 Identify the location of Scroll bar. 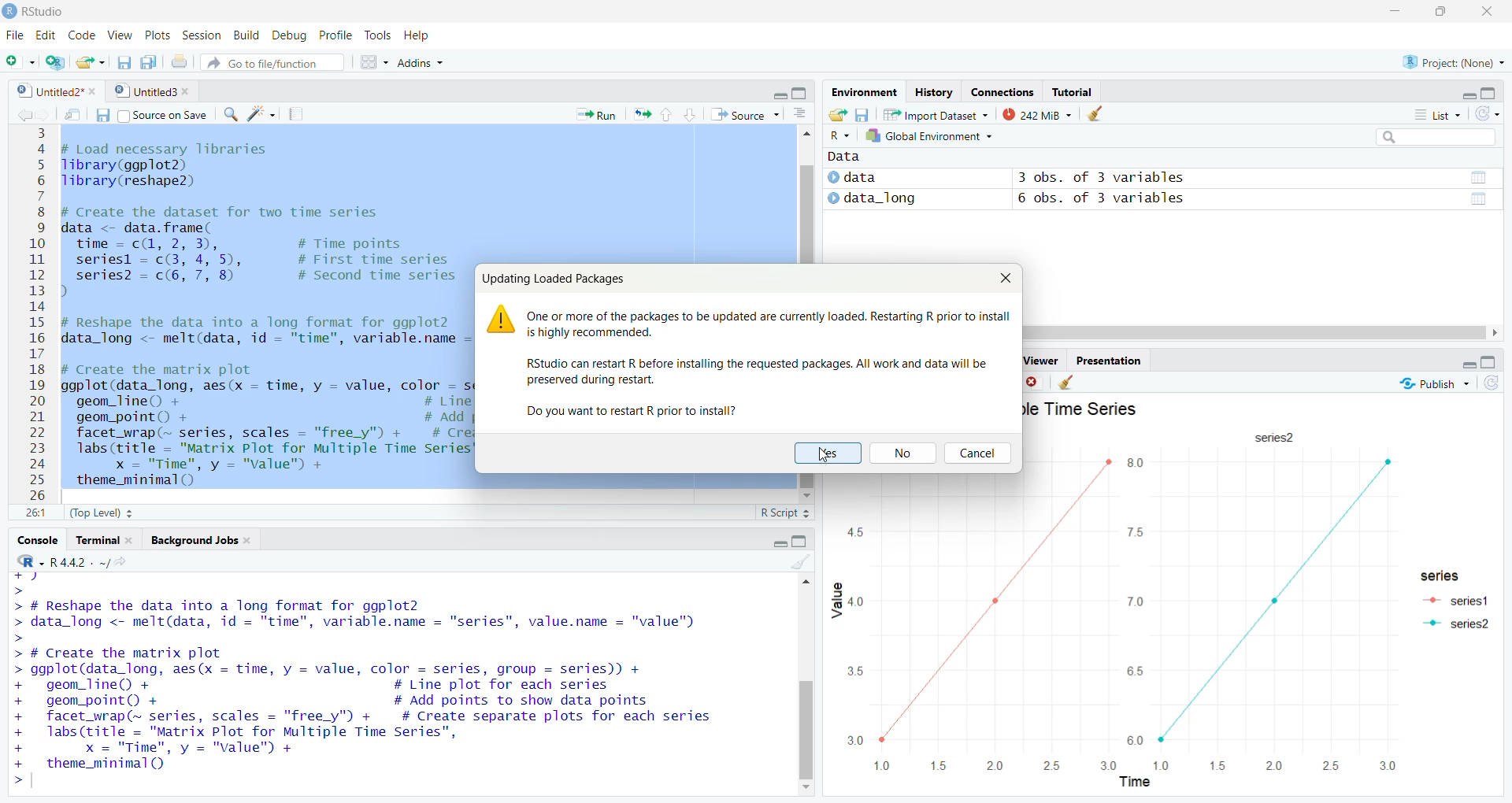
(808, 729).